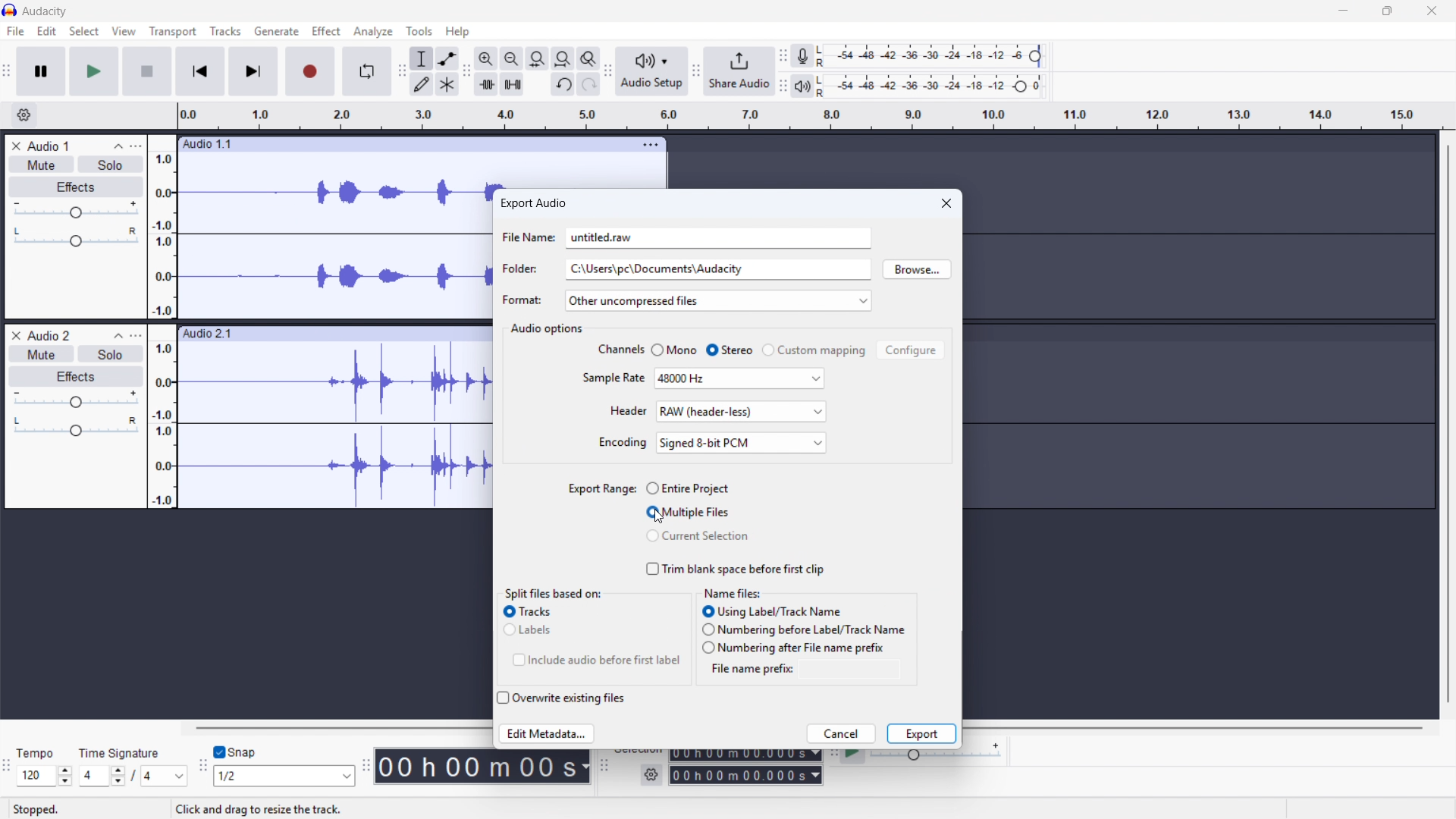 This screenshot has height=819, width=1456. I want to click on status: stopped, so click(36, 810).